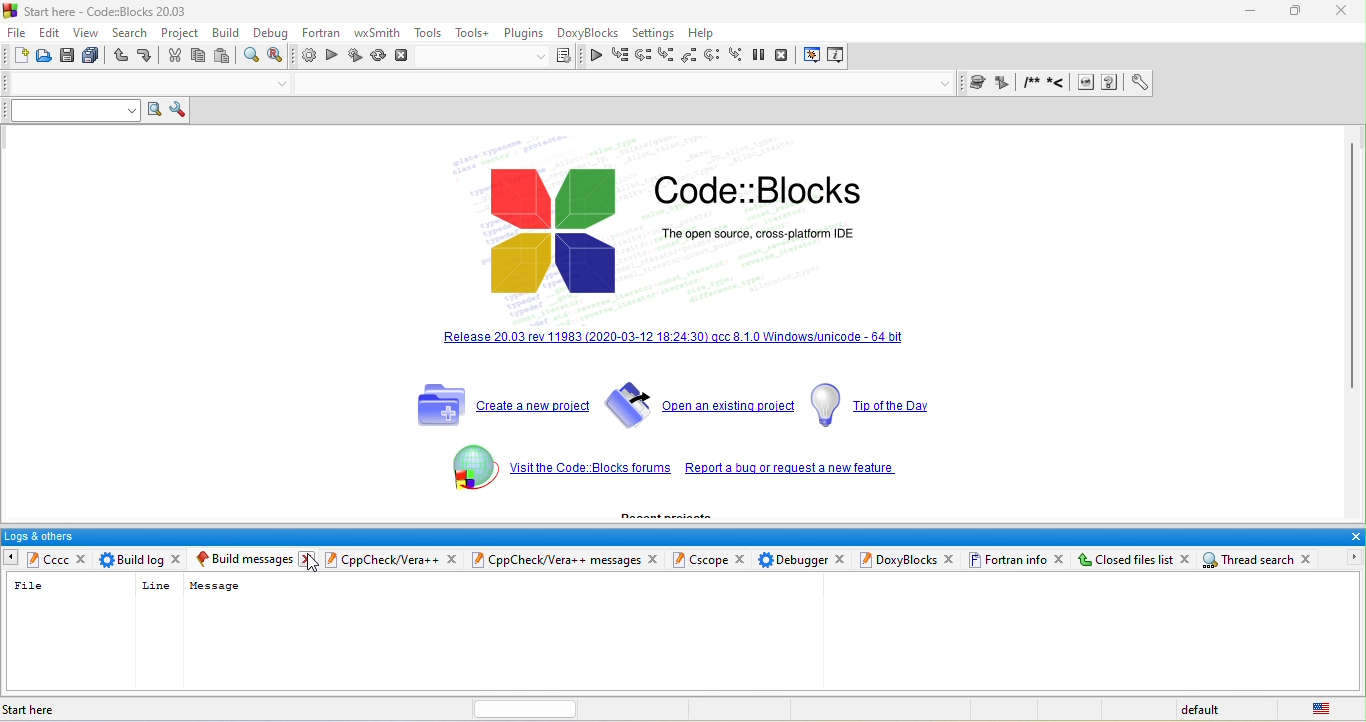 This screenshot has width=1366, height=722. Describe the element at coordinates (132, 559) in the screenshot. I see `build log` at that location.